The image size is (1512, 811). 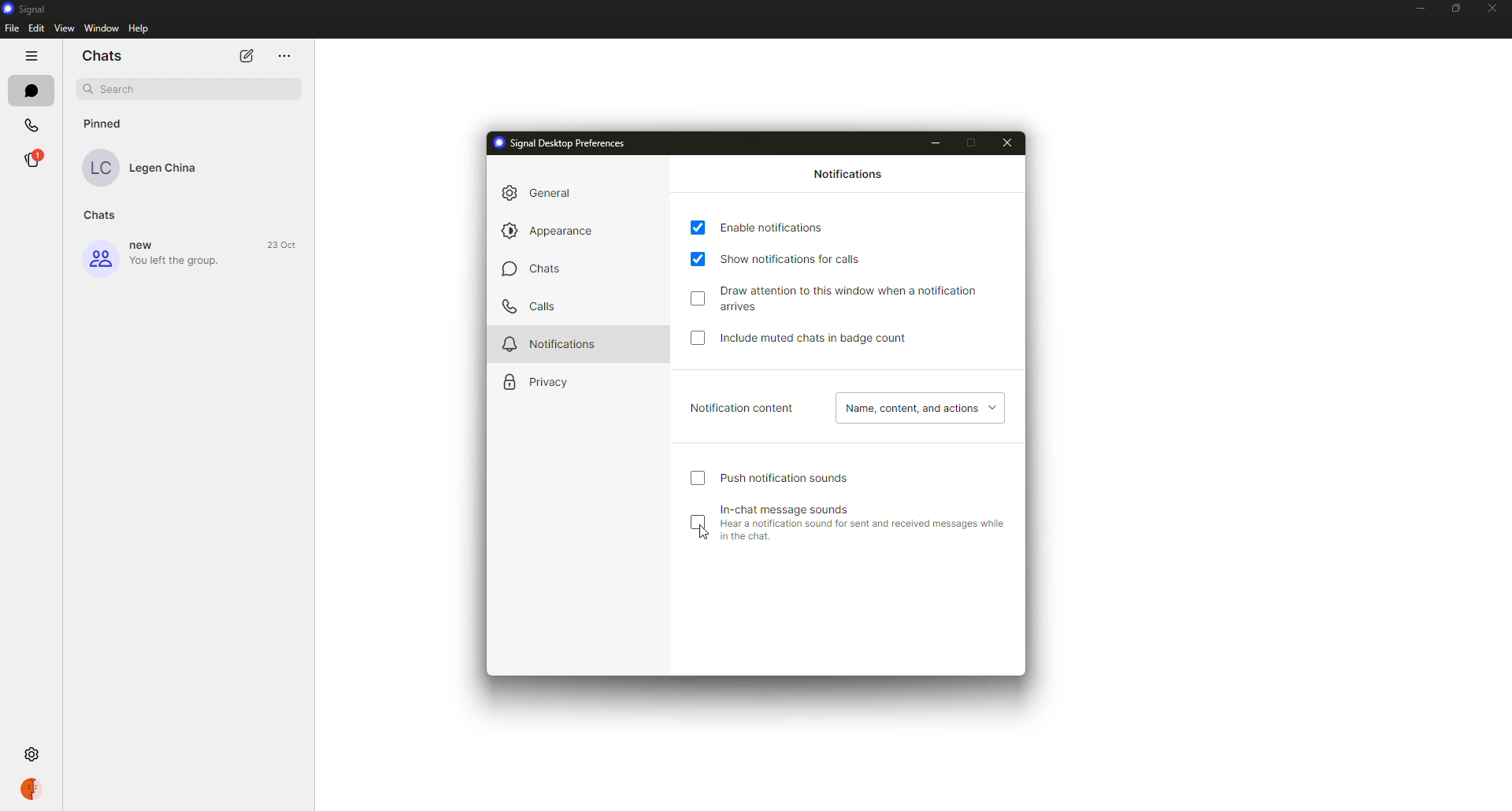 What do you see at coordinates (698, 522) in the screenshot?
I see `tap to select` at bounding box center [698, 522].